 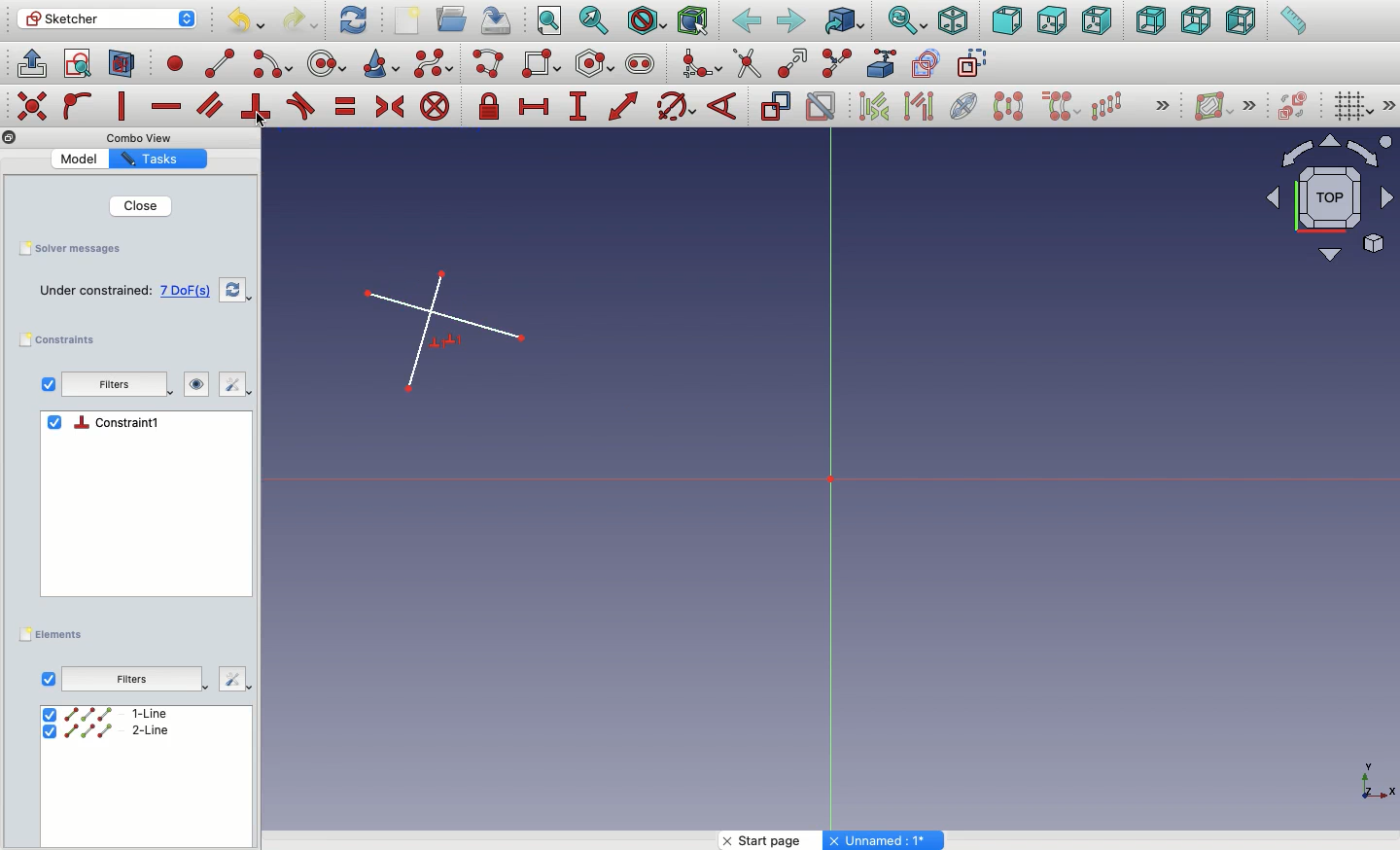 I want to click on line, so click(x=221, y=64).